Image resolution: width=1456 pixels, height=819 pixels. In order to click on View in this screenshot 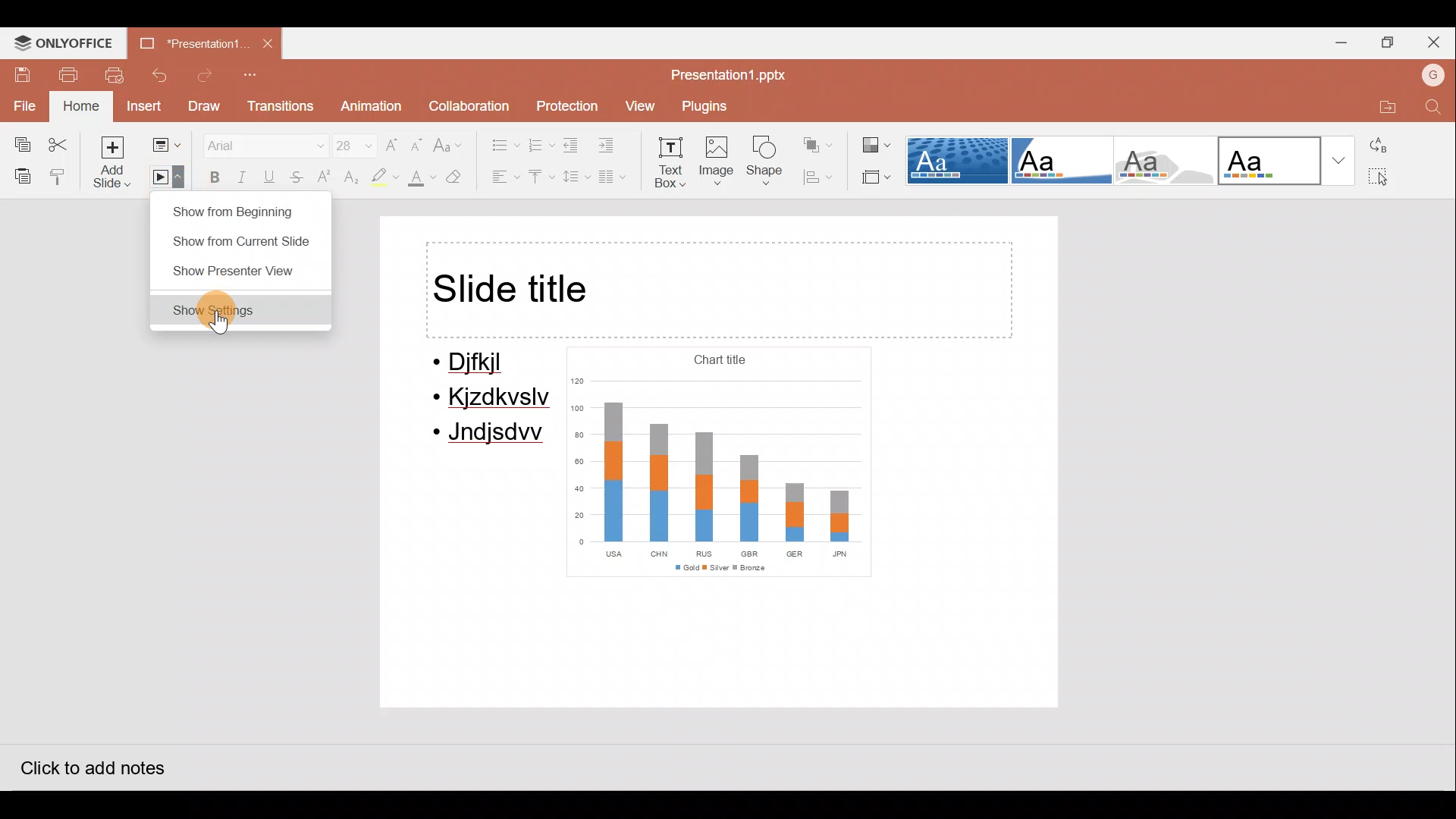, I will do `click(638, 104)`.